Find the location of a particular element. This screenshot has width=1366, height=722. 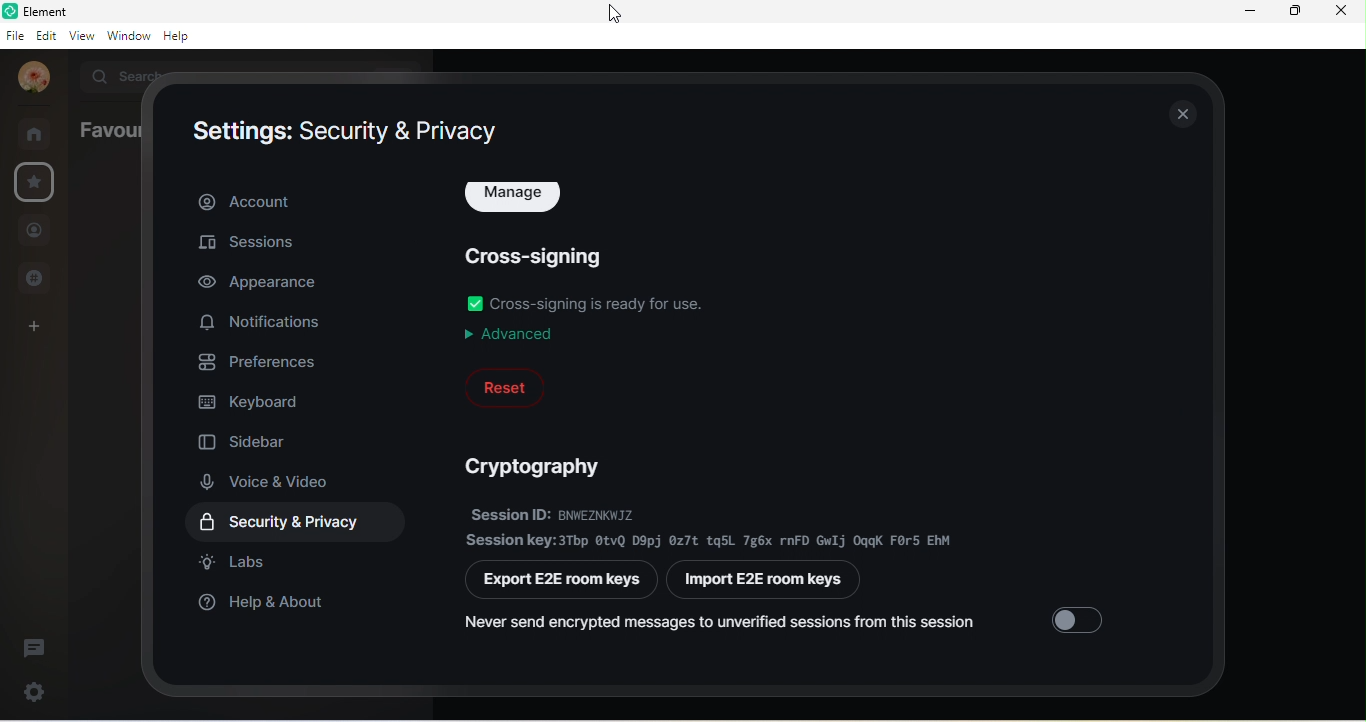

cursor movement is located at coordinates (608, 16).